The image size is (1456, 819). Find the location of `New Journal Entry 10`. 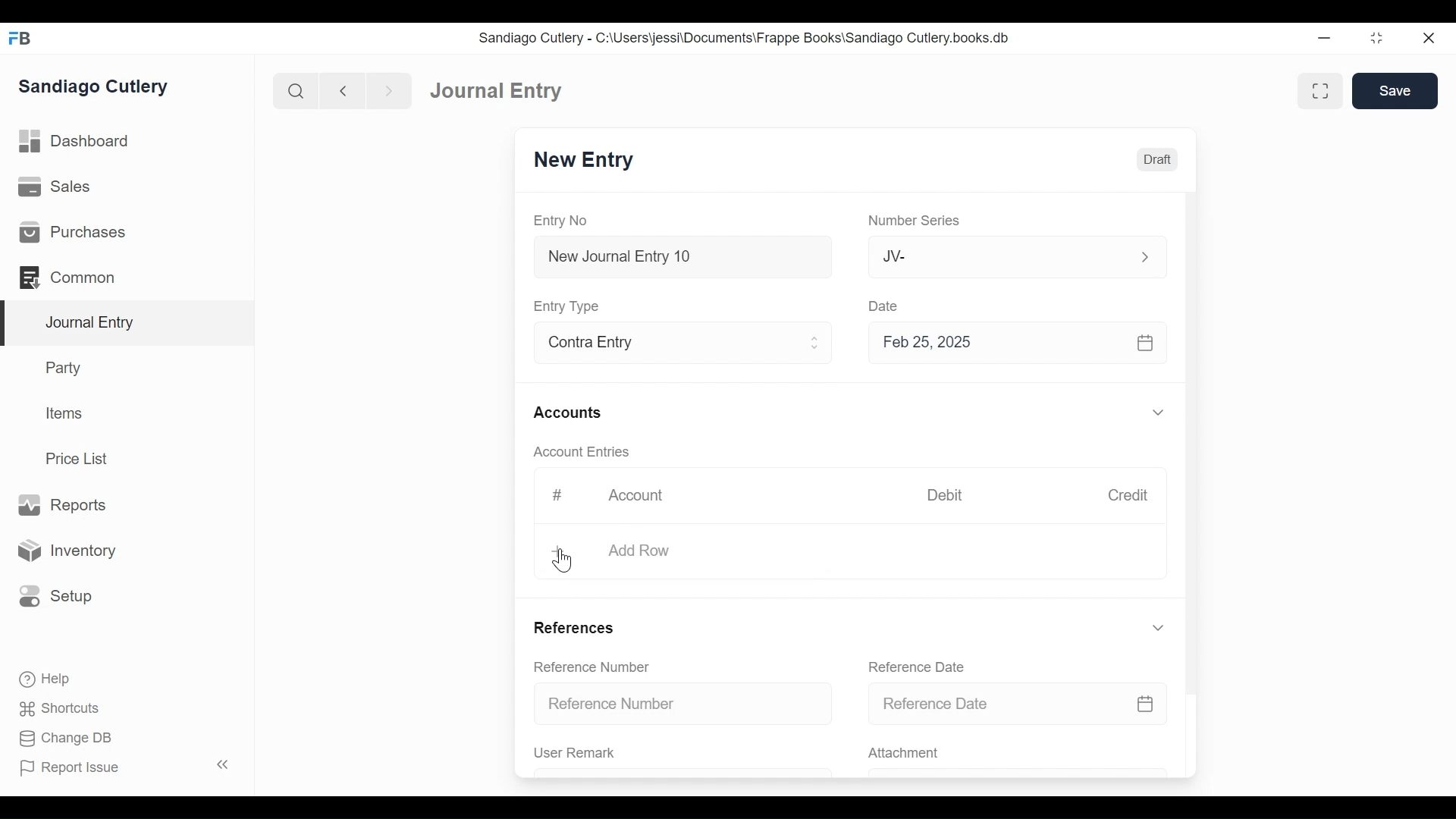

New Journal Entry 10 is located at coordinates (682, 256).